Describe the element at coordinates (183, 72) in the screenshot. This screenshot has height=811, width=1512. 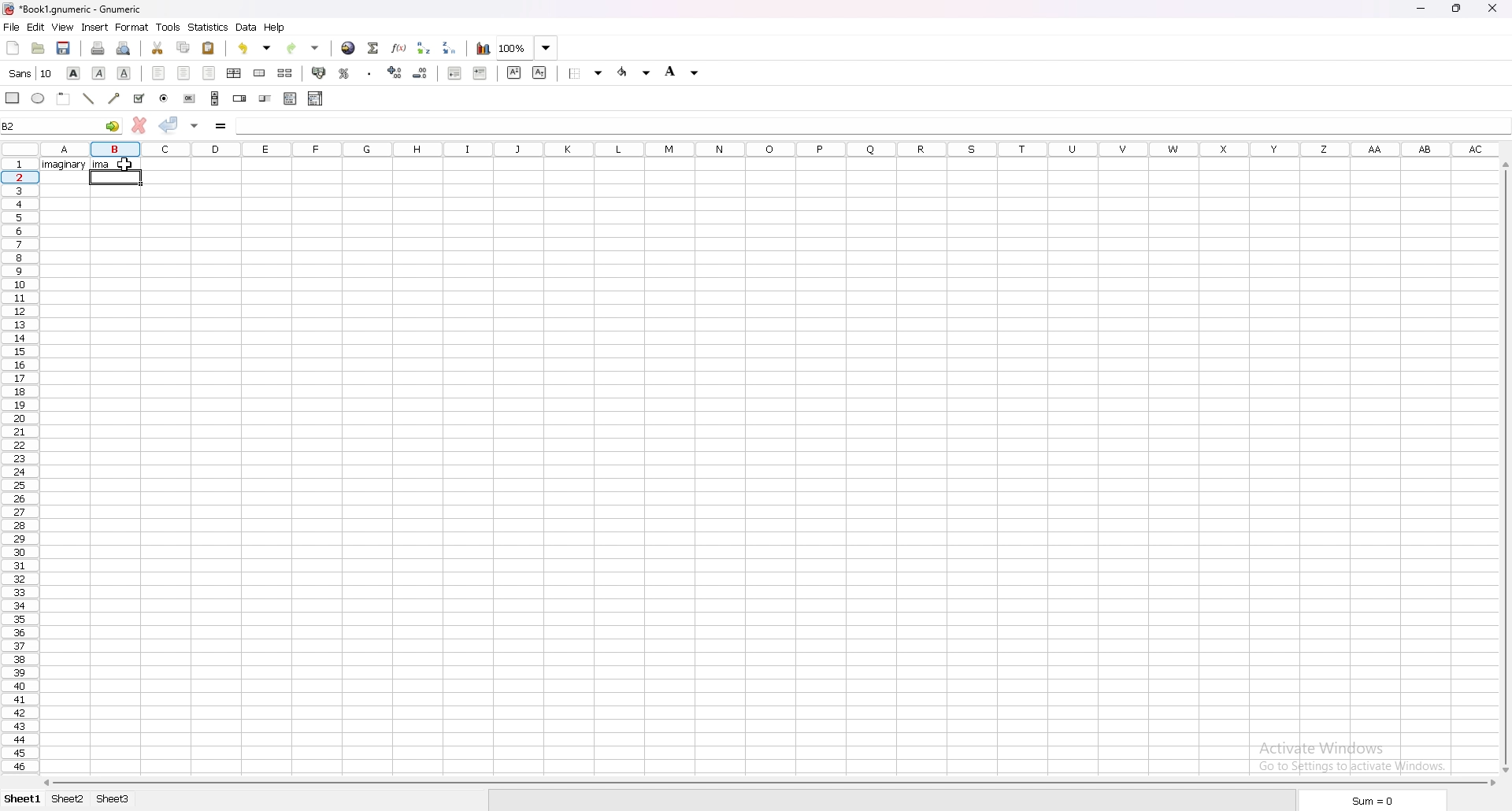
I see `centre` at that location.